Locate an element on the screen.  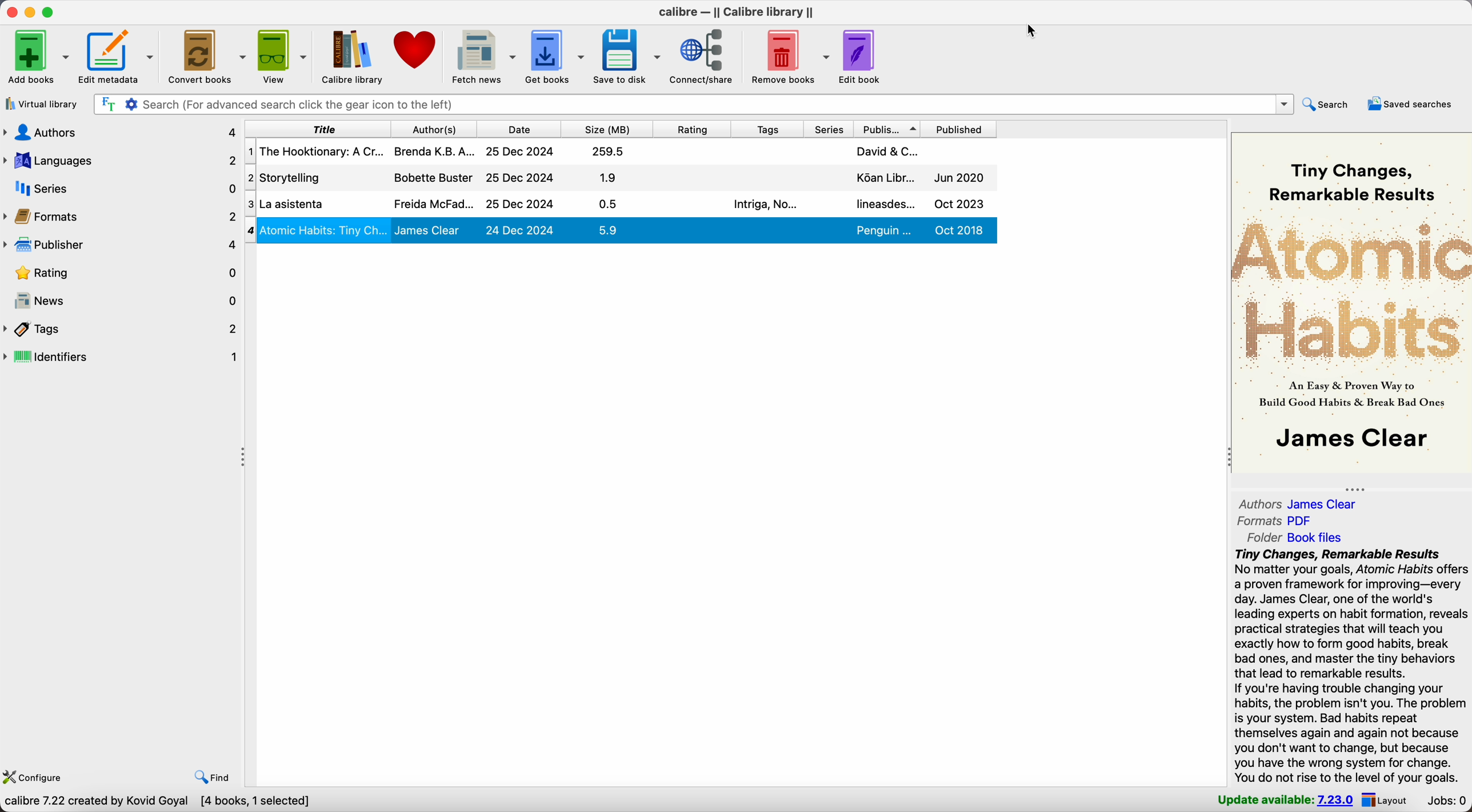
formats PDF is located at coordinates (1279, 521).